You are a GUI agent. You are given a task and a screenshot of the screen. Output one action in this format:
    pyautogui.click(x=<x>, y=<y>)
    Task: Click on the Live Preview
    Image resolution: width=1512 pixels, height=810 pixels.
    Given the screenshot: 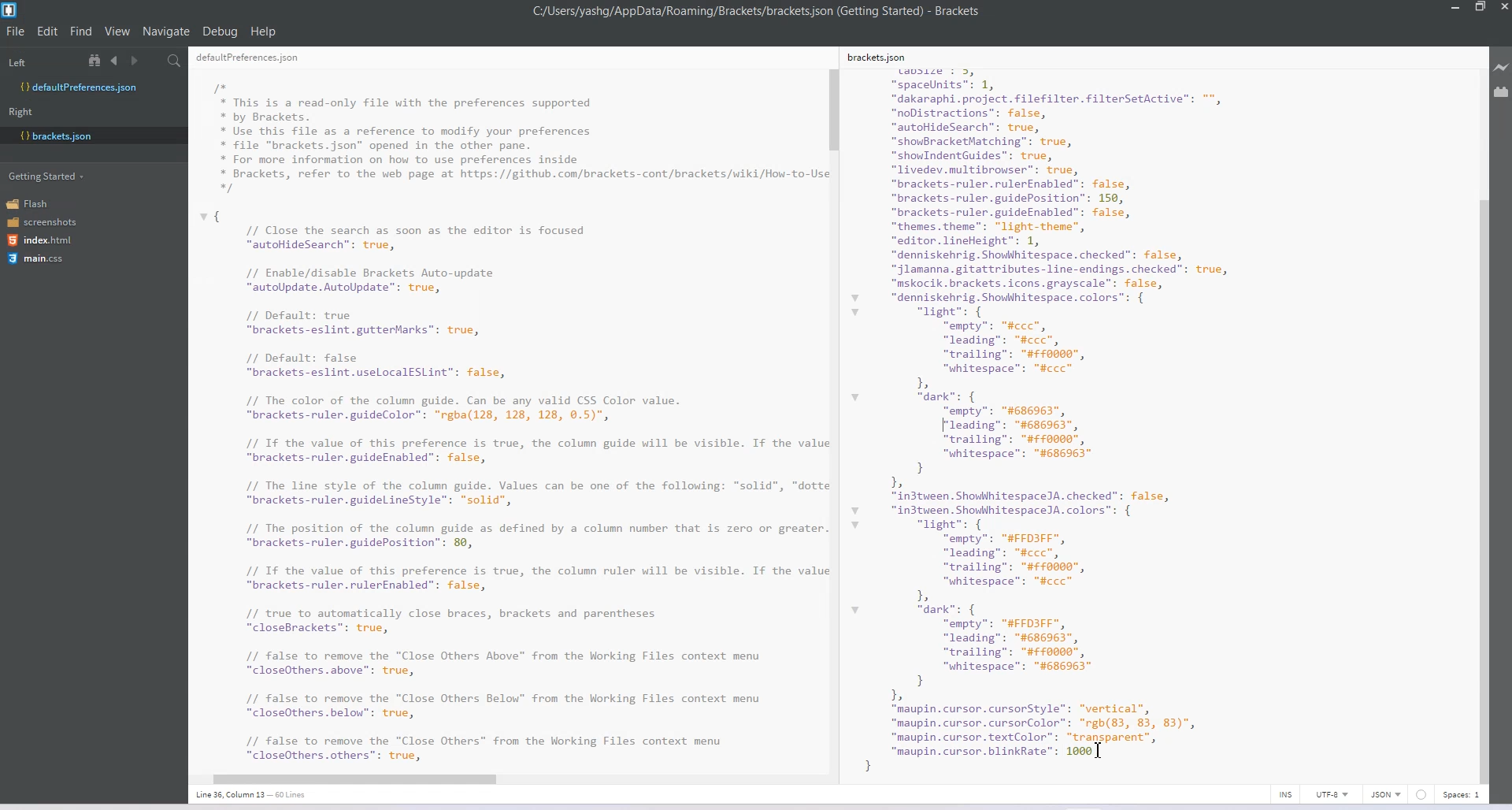 What is the action you would take?
    pyautogui.click(x=1502, y=68)
    